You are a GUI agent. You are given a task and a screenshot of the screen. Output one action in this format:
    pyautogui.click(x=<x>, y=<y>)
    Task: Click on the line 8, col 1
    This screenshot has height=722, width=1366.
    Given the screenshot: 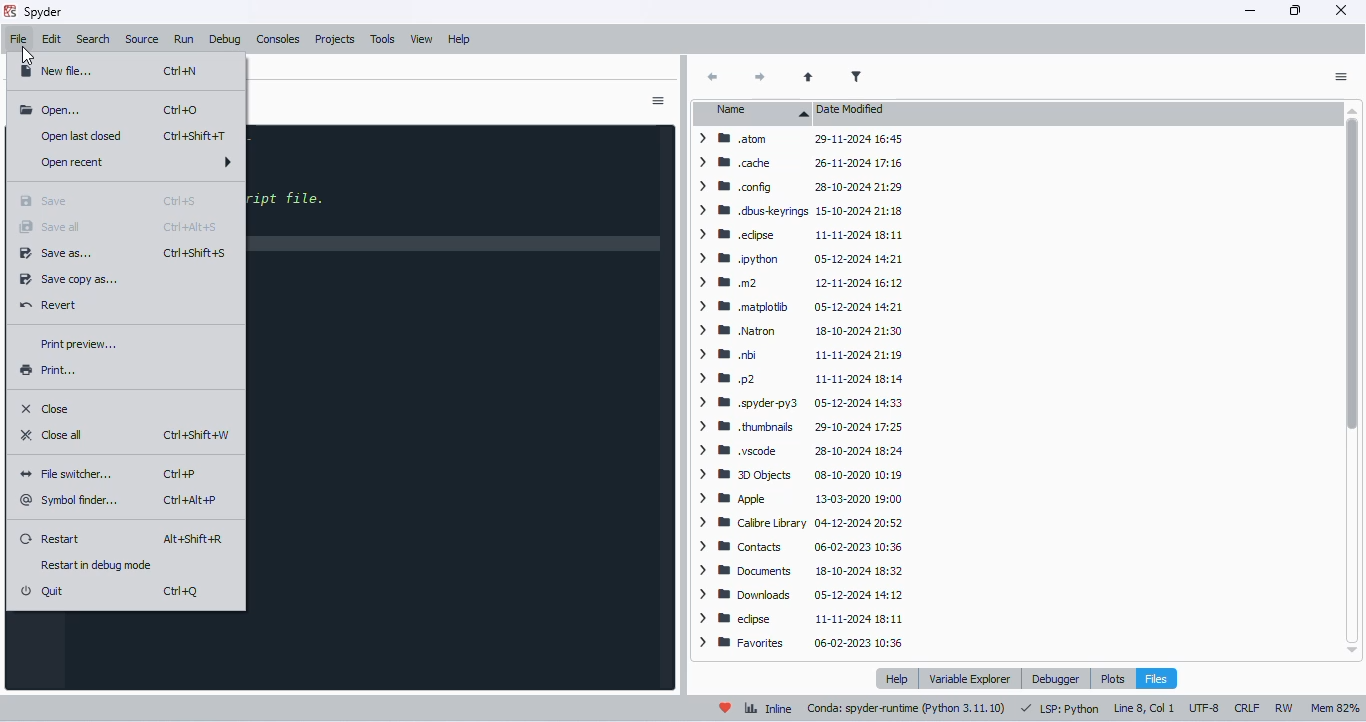 What is the action you would take?
    pyautogui.click(x=1143, y=709)
    